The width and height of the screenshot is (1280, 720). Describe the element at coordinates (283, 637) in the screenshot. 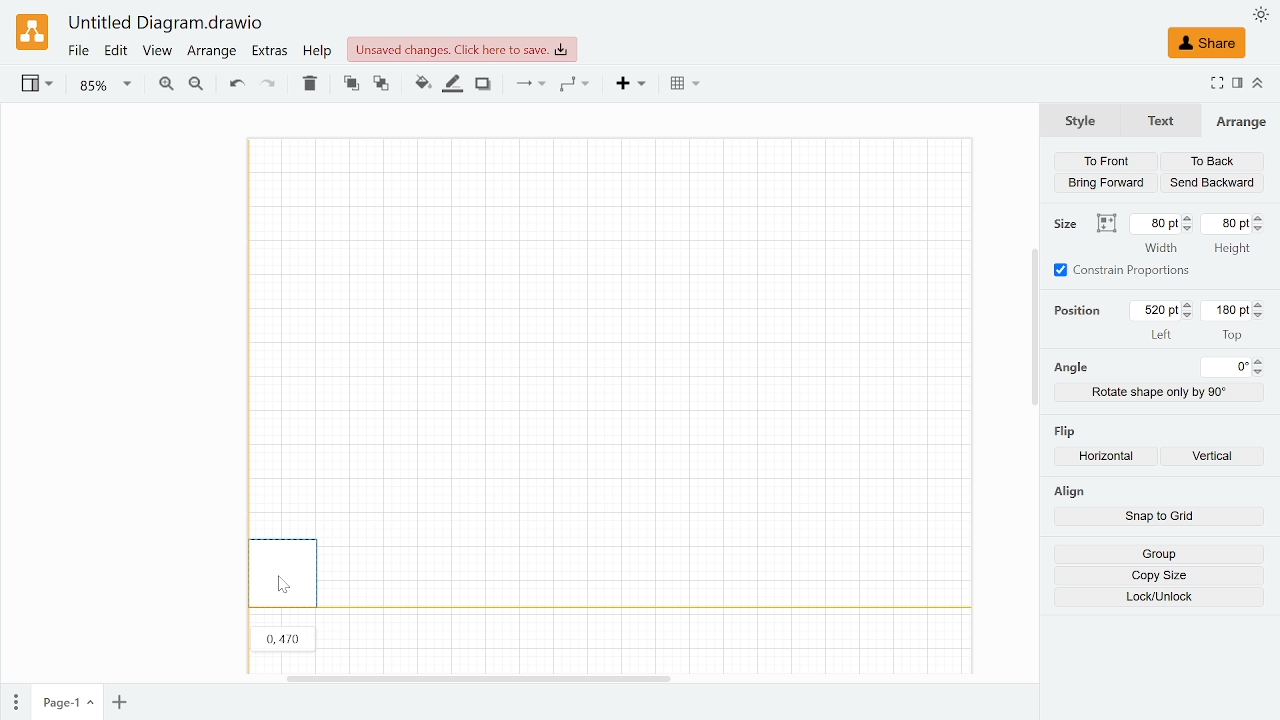

I see `Co-ordinates of cell` at that location.